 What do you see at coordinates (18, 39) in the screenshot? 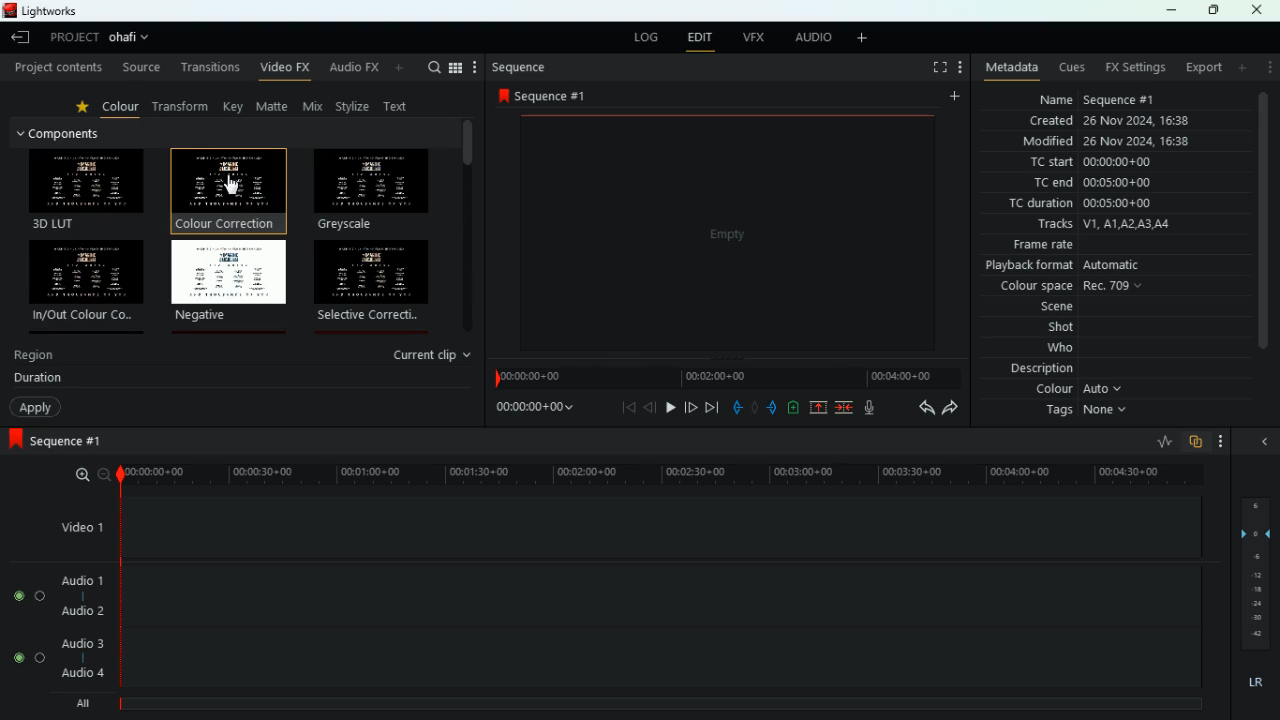
I see `leave` at bounding box center [18, 39].